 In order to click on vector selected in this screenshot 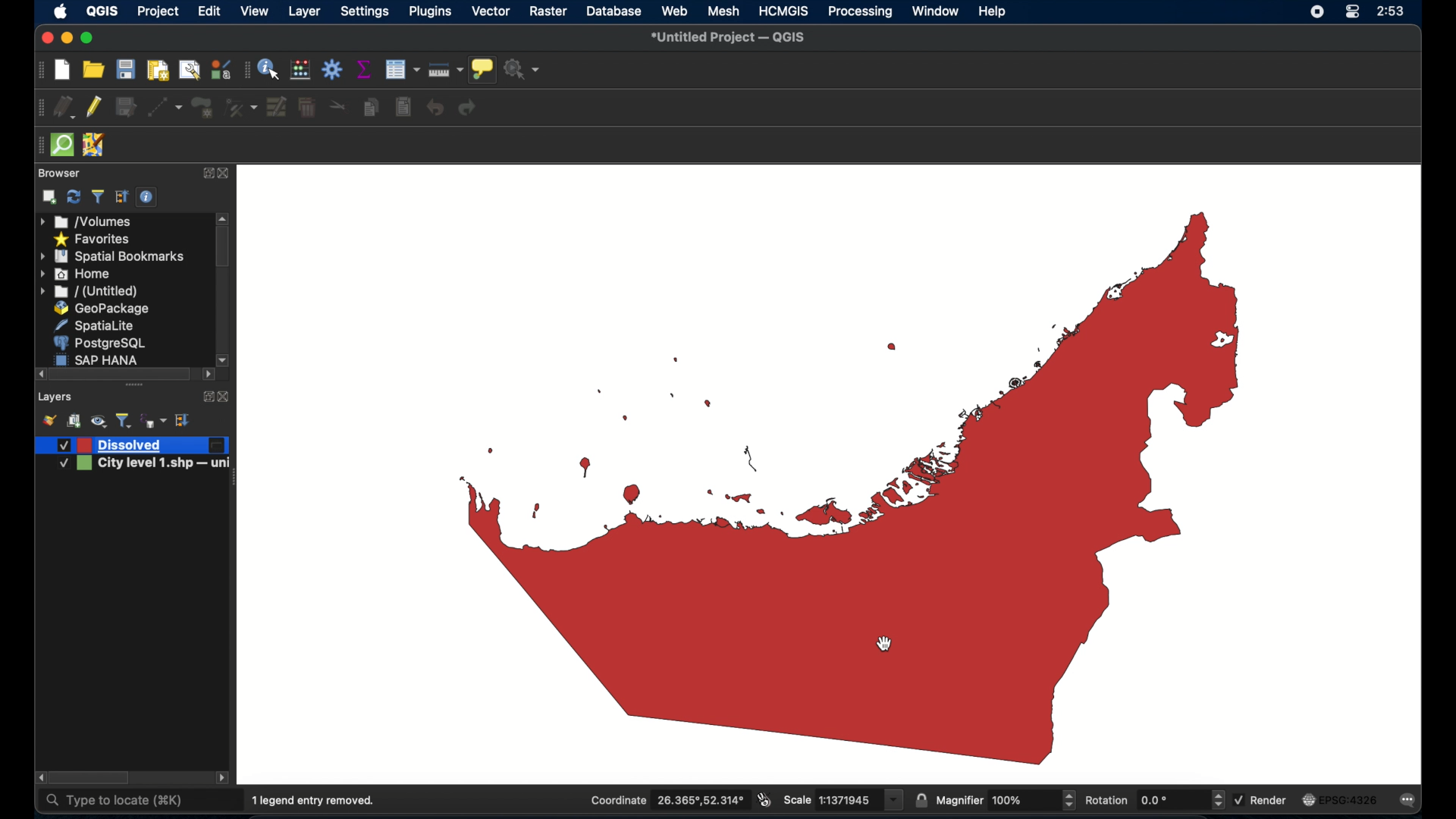, I will do `click(491, 12)`.